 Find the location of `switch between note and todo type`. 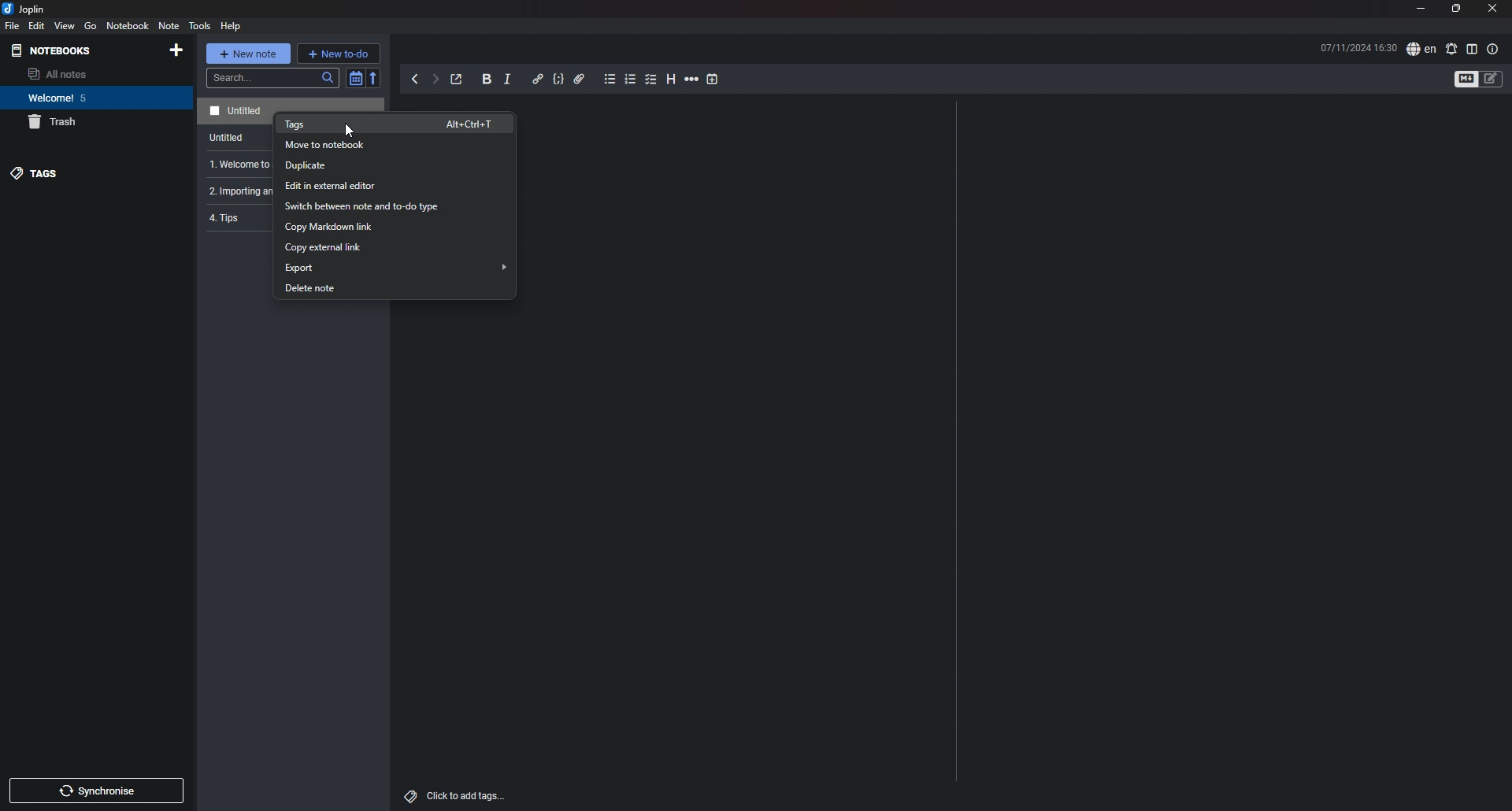

switch between note and todo type is located at coordinates (391, 206).